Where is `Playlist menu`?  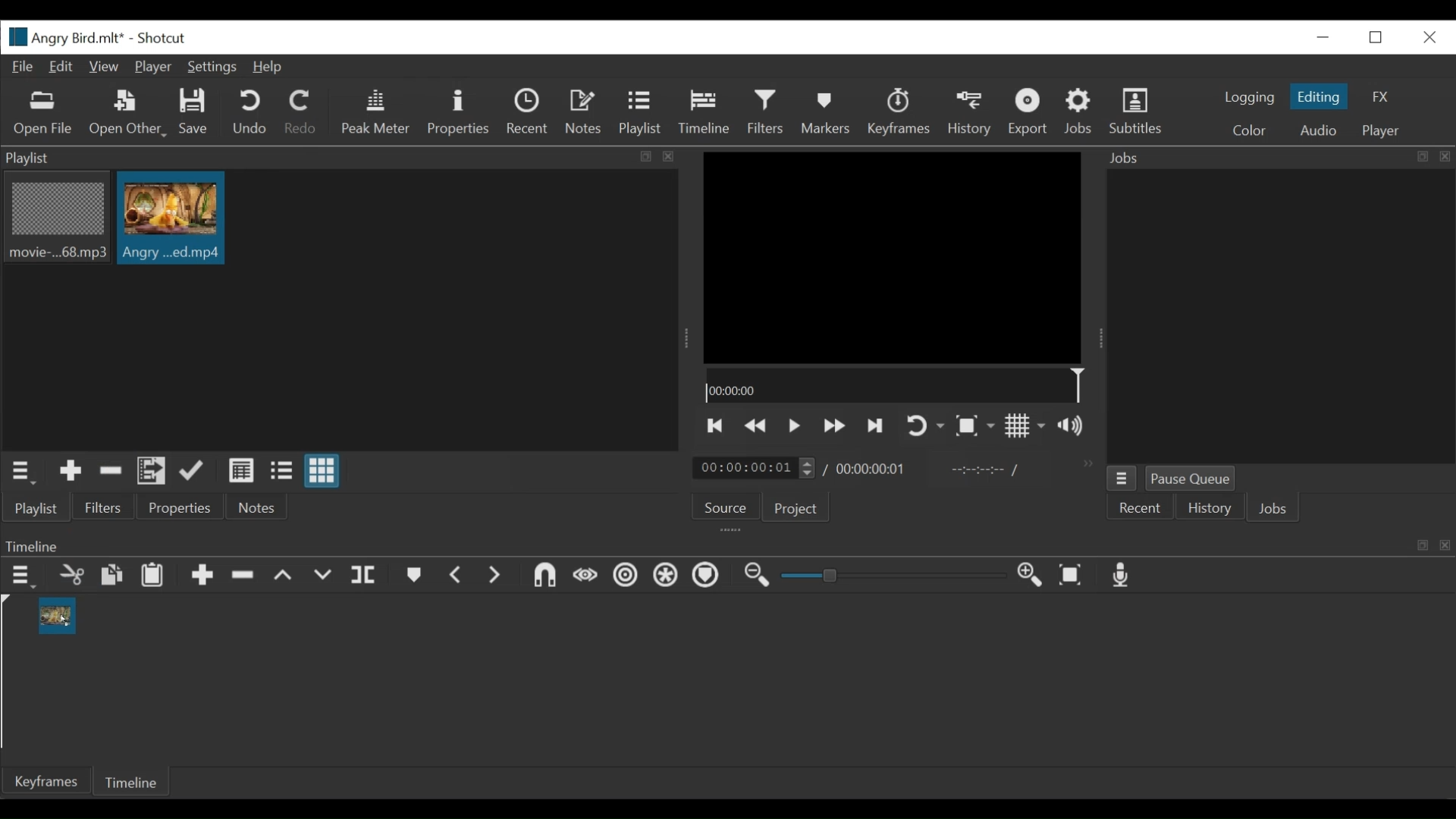 Playlist menu is located at coordinates (24, 473).